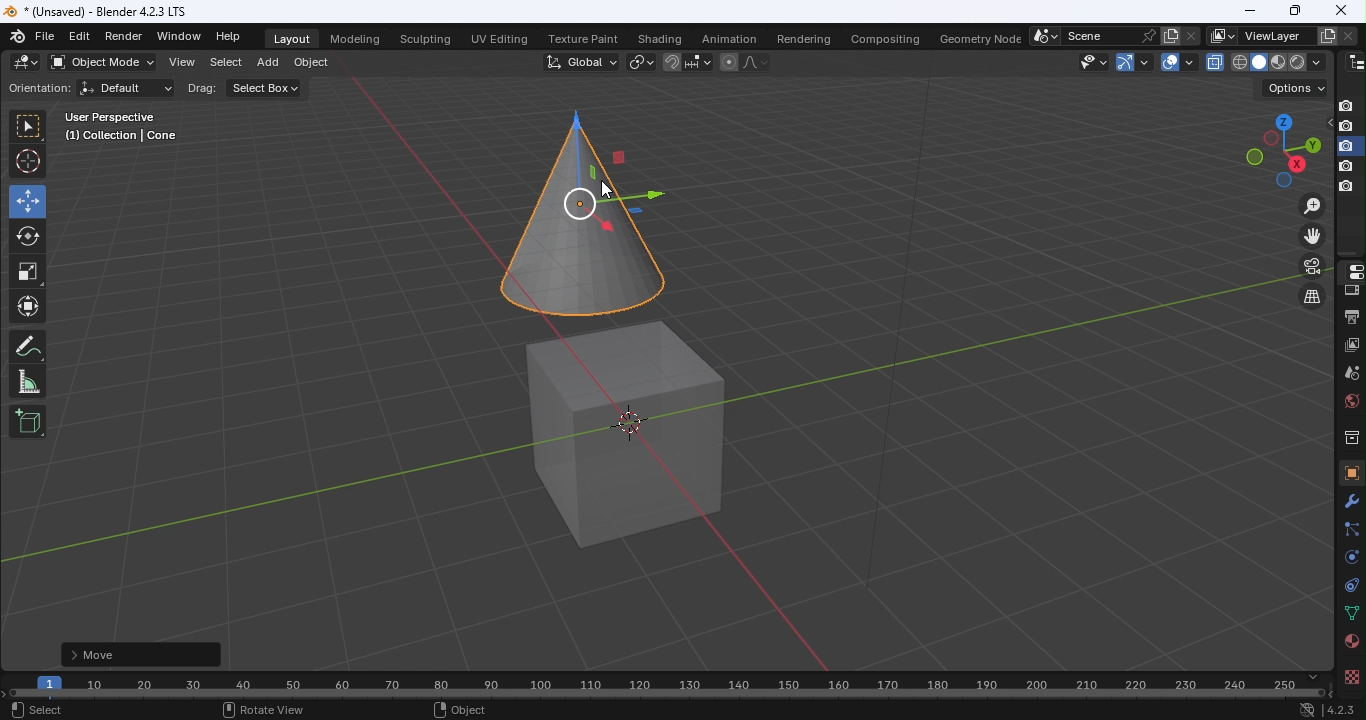 The height and width of the screenshot is (720, 1366). I want to click on Selectability and visibility, so click(1095, 61).